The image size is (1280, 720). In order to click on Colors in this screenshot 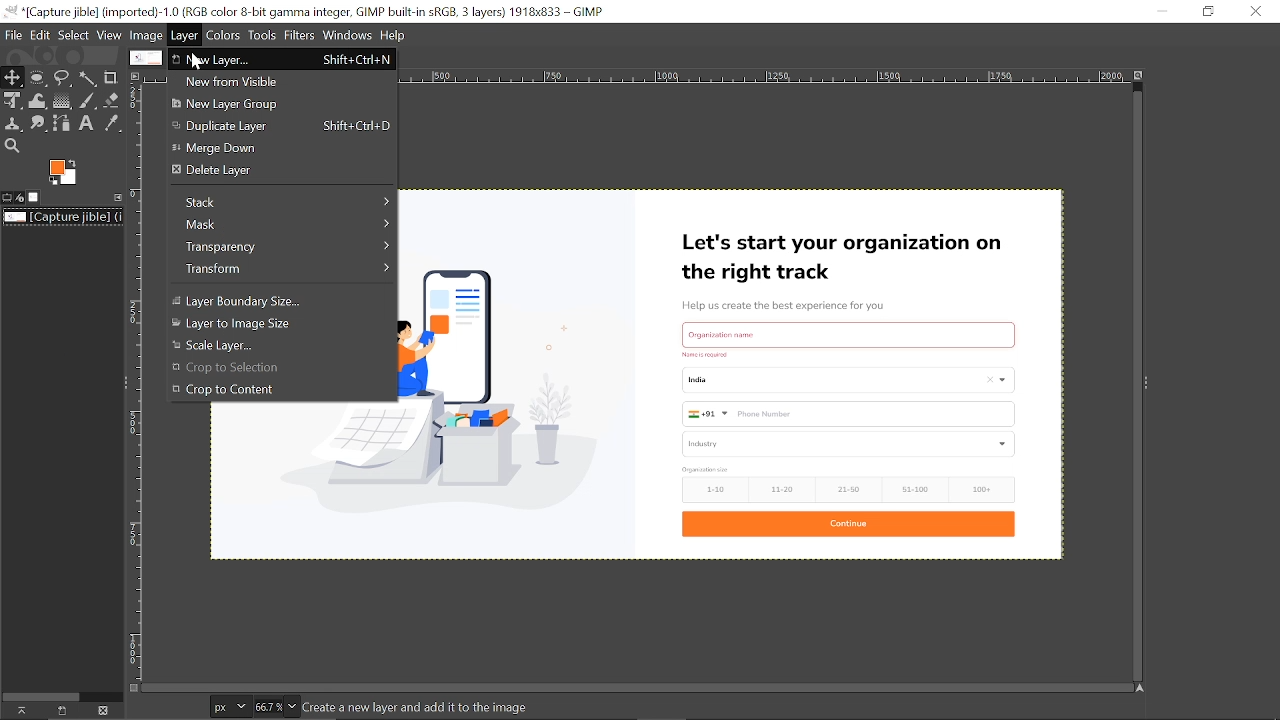, I will do `click(224, 35)`.